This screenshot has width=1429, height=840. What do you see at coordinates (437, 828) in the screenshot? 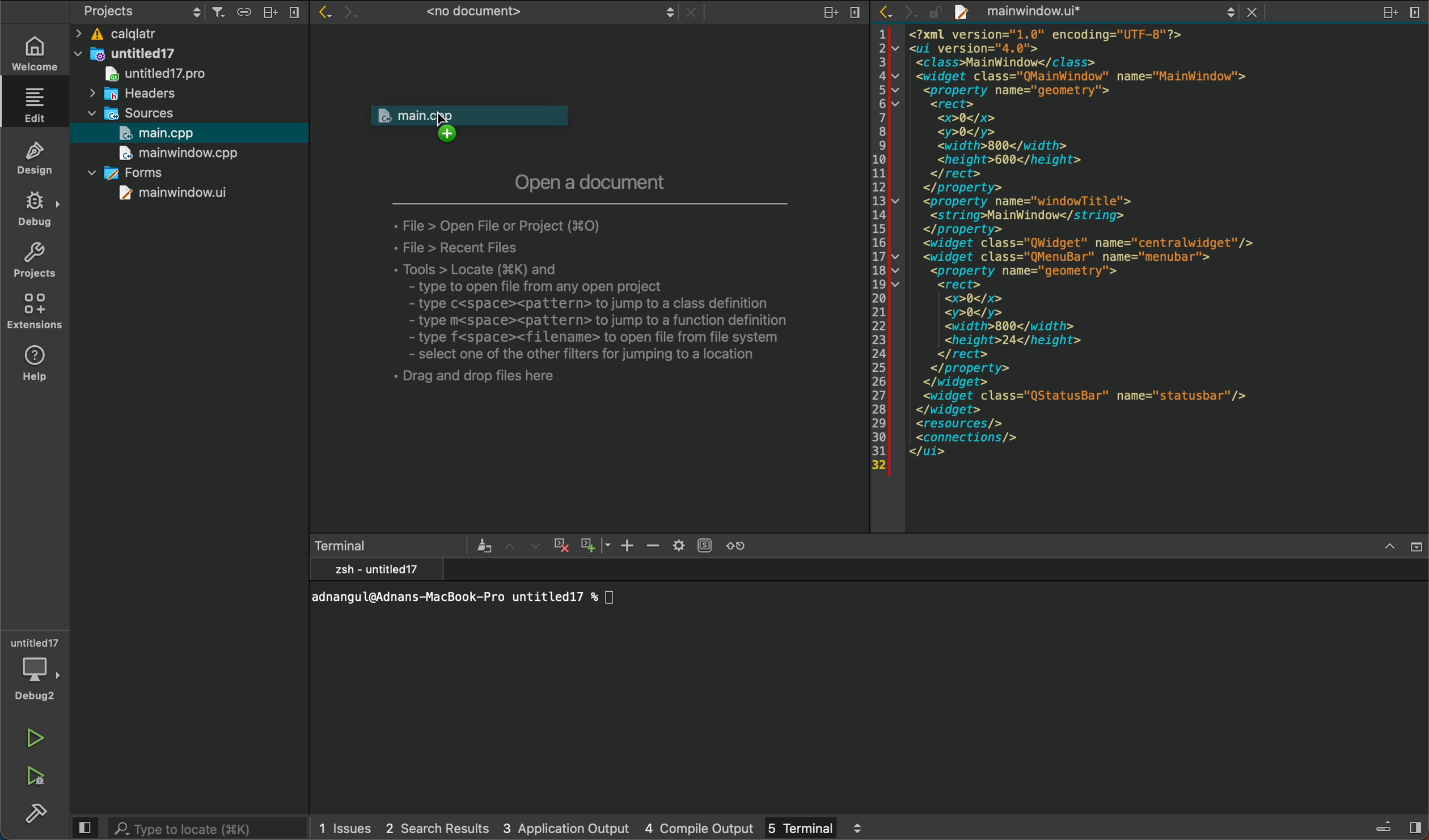
I see `search results` at bounding box center [437, 828].